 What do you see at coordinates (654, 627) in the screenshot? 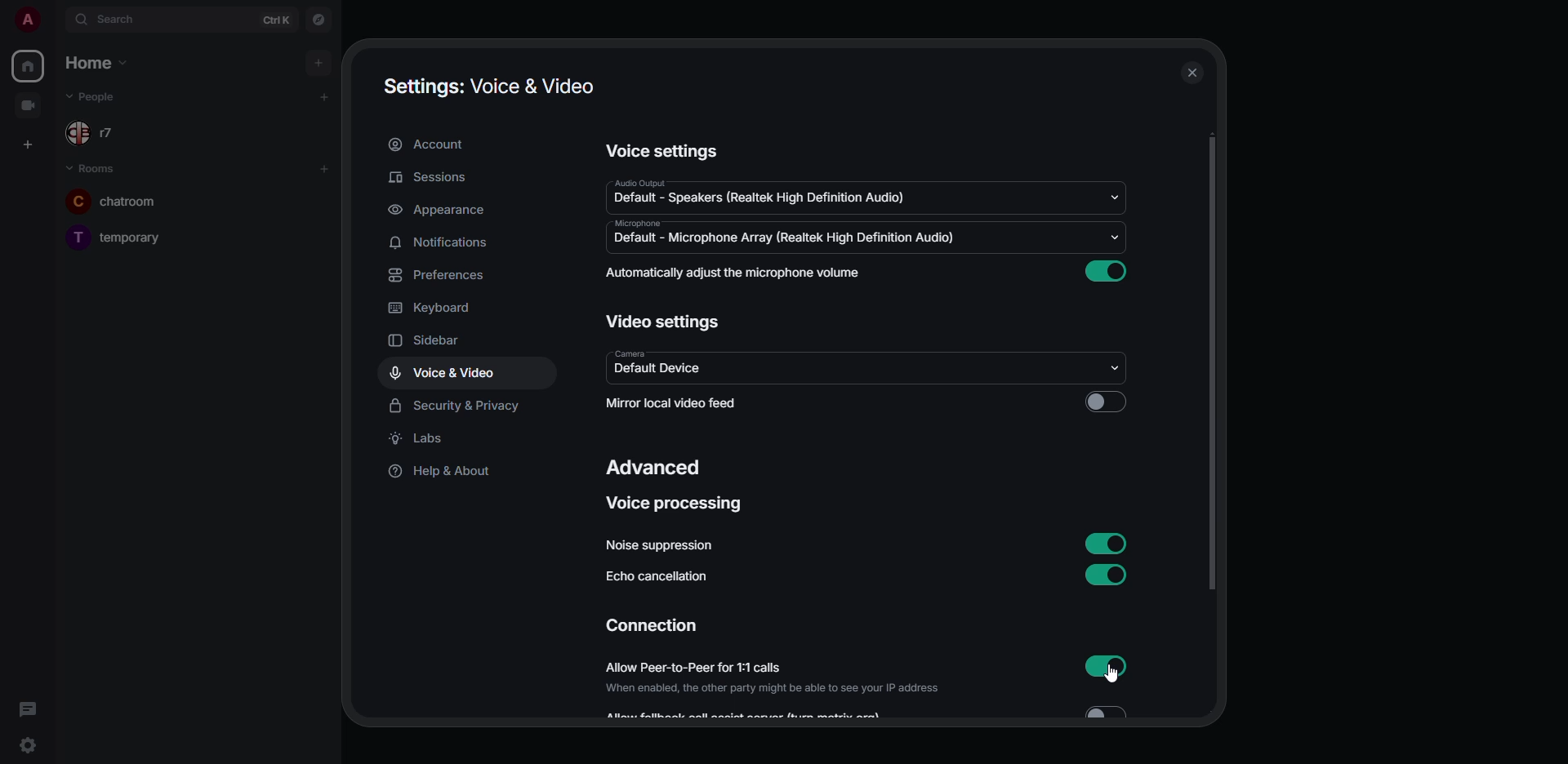
I see `connection` at bounding box center [654, 627].